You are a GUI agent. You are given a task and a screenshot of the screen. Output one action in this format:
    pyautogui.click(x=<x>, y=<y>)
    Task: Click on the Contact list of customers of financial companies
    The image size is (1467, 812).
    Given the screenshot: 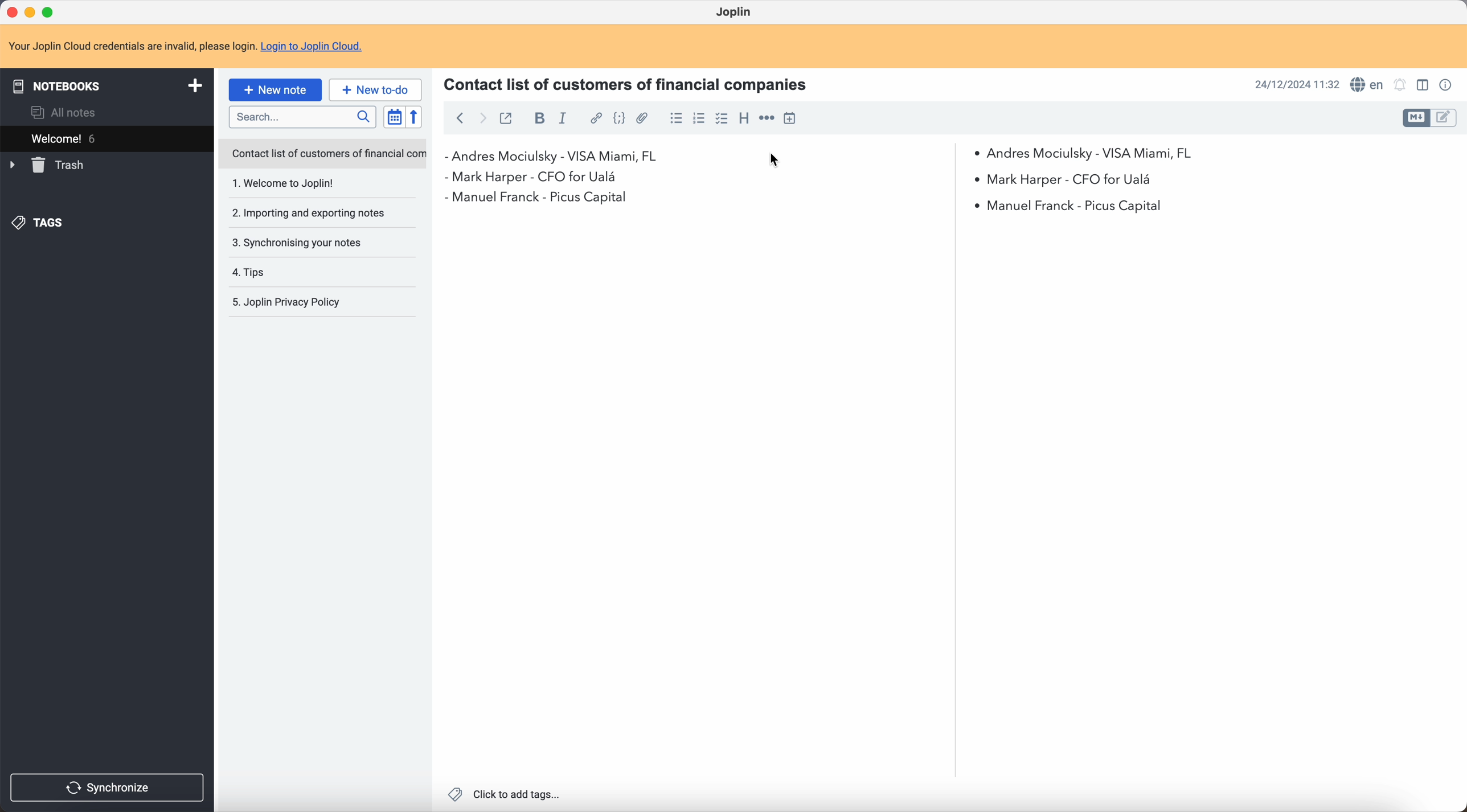 What is the action you would take?
    pyautogui.click(x=633, y=83)
    